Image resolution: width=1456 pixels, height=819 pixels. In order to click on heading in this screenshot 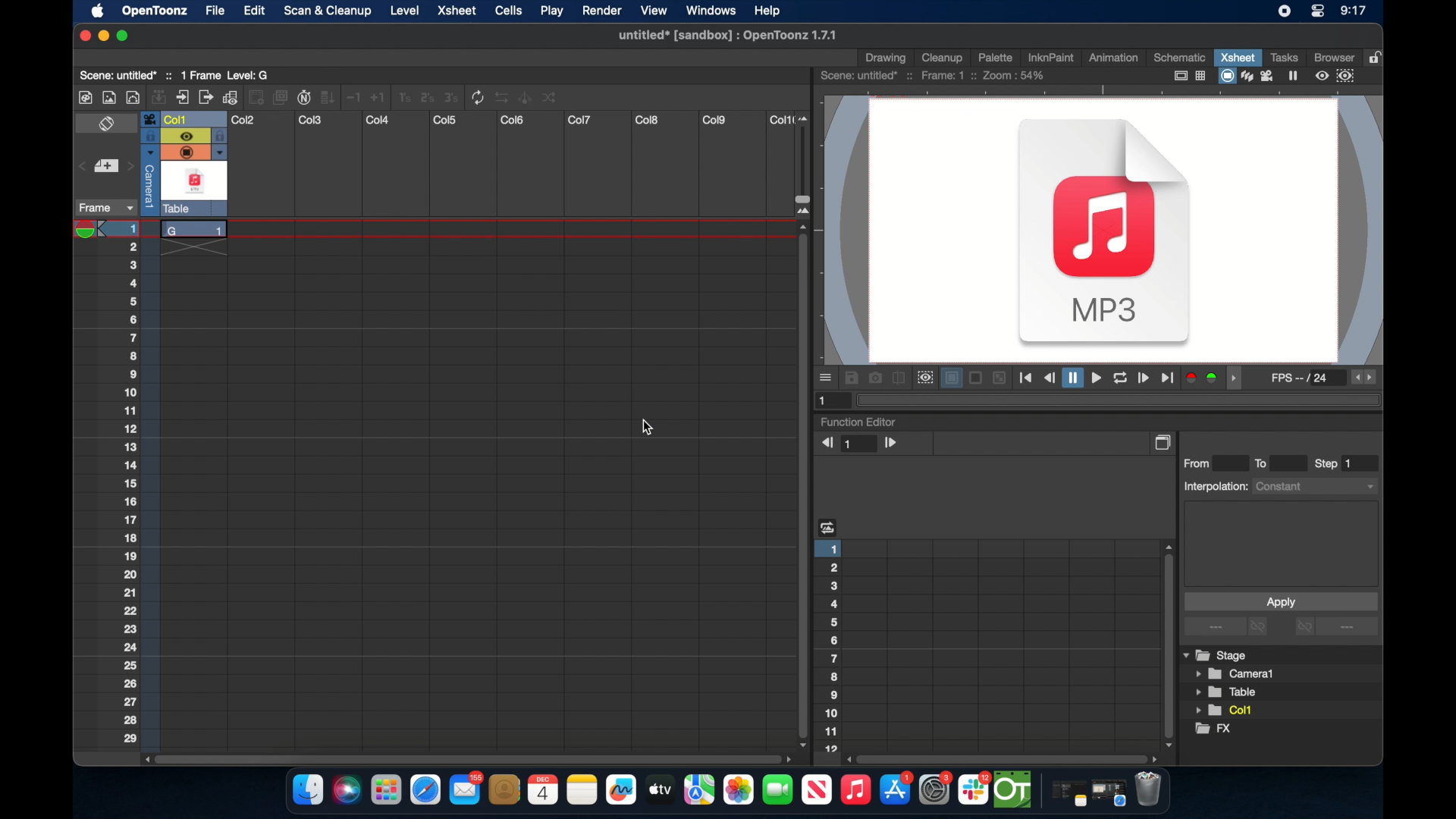, I will do `click(828, 526)`.